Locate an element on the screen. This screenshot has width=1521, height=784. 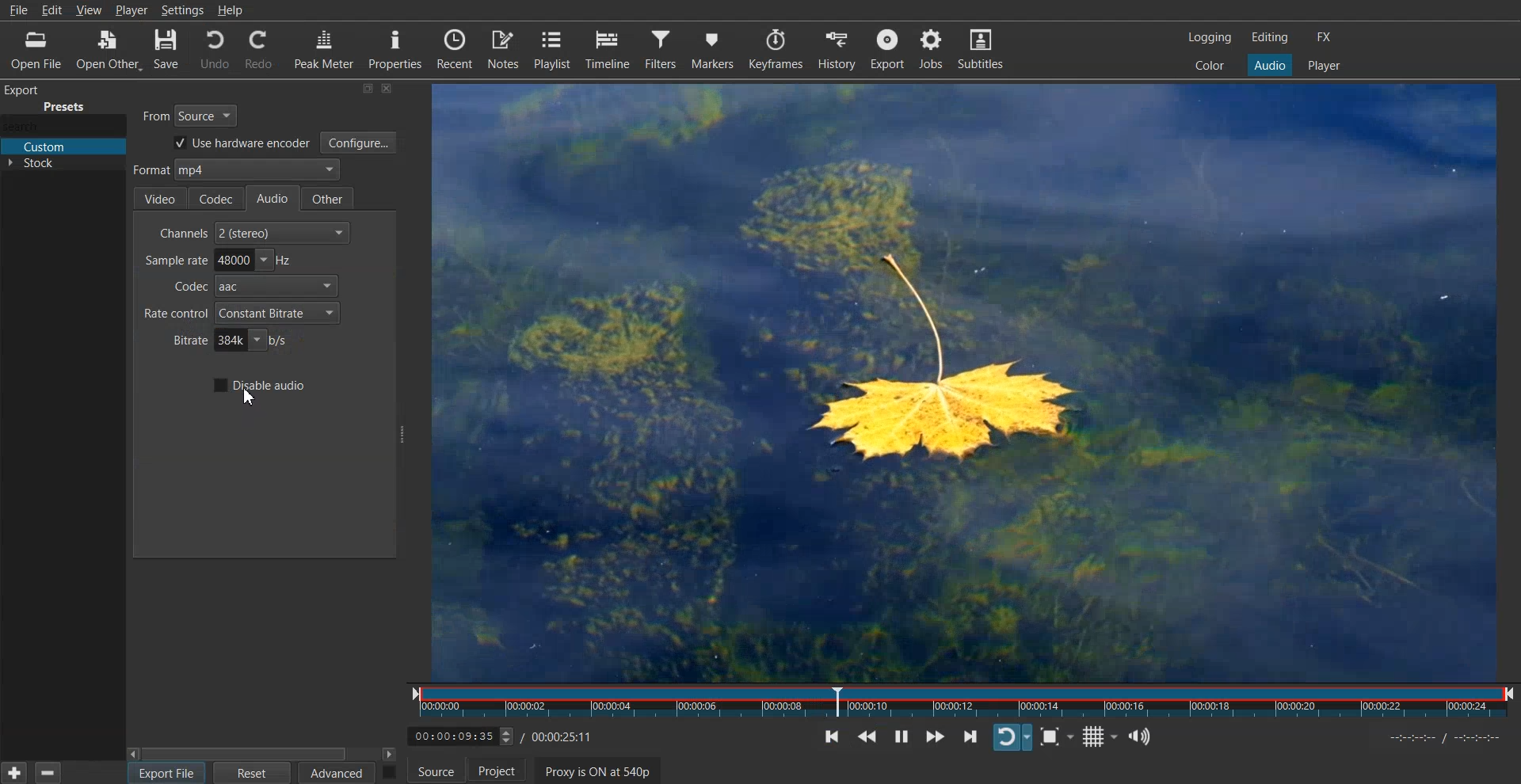
Toggle play or pause is located at coordinates (905, 736).